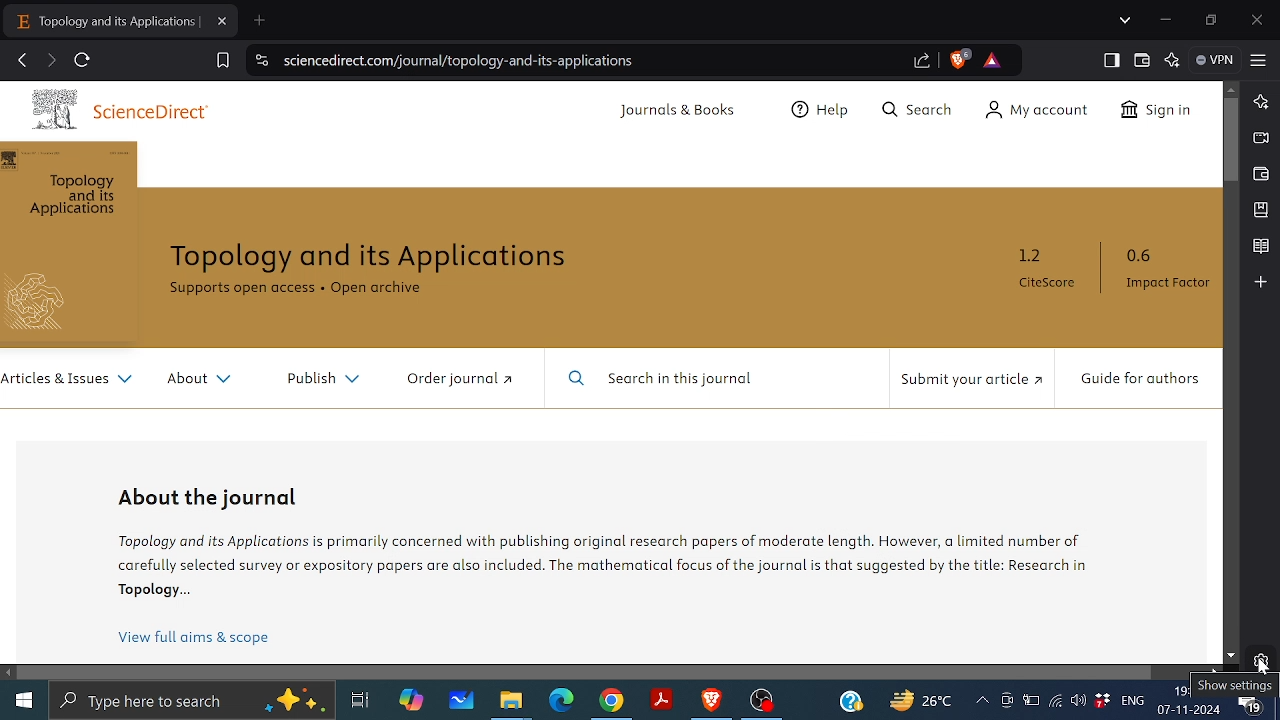 This screenshot has height=720, width=1280. Describe the element at coordinates (1032, 705) in the screenshot. I see `Battery` at that location.